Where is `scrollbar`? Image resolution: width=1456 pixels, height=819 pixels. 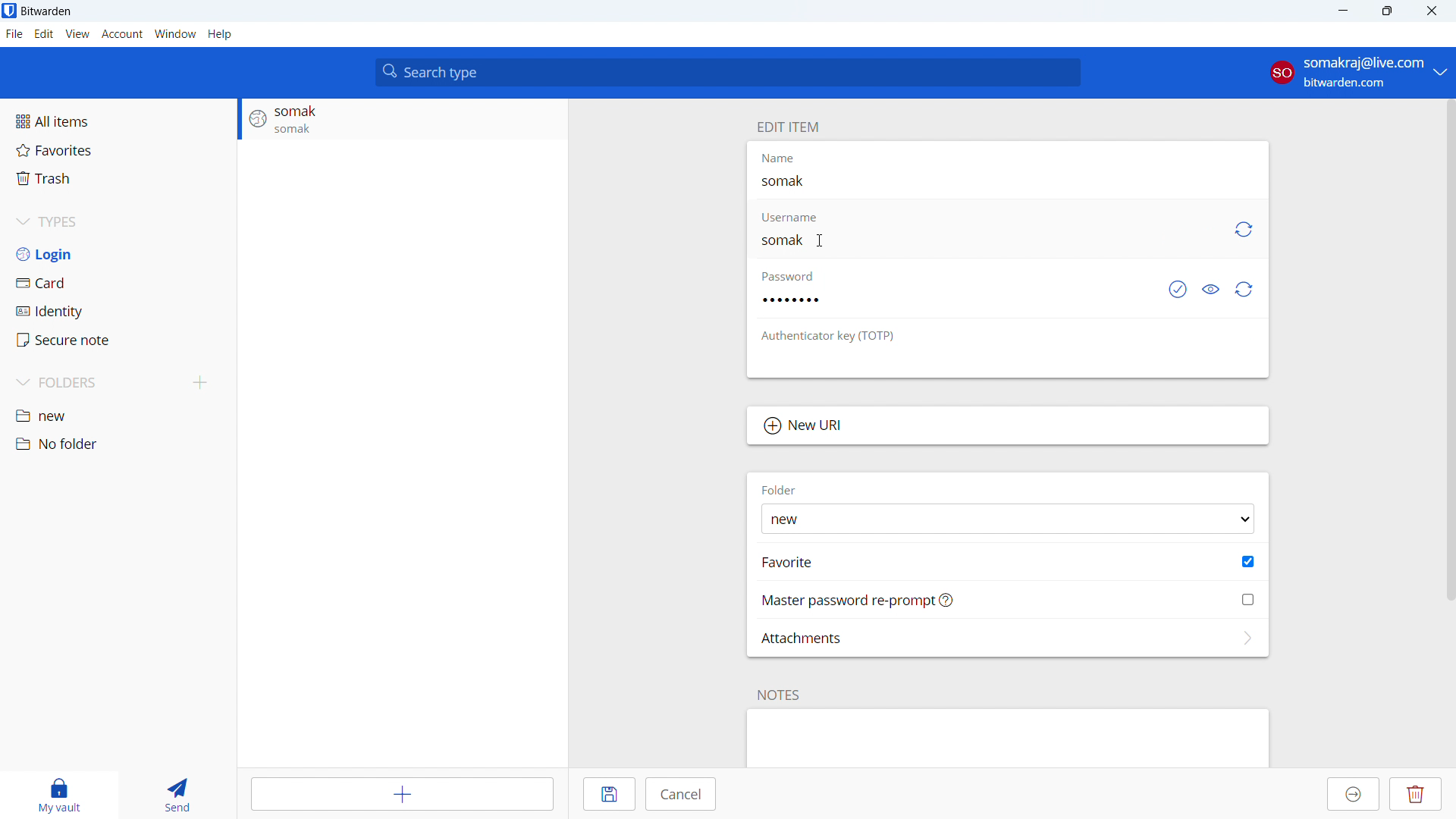
scrollbar is located at coordinates (1451, 347).